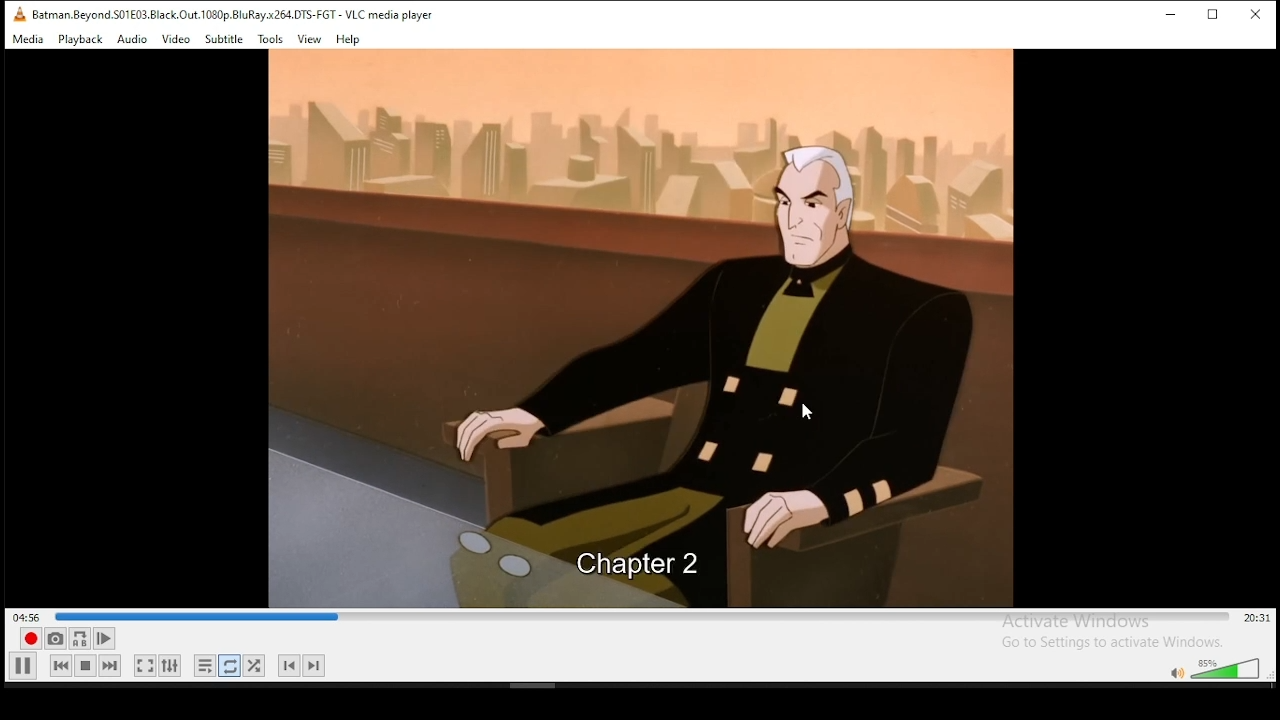  What do you see at coordinates (651, 563) in the screenshot?
I see `` at bounding box center [651, 563].